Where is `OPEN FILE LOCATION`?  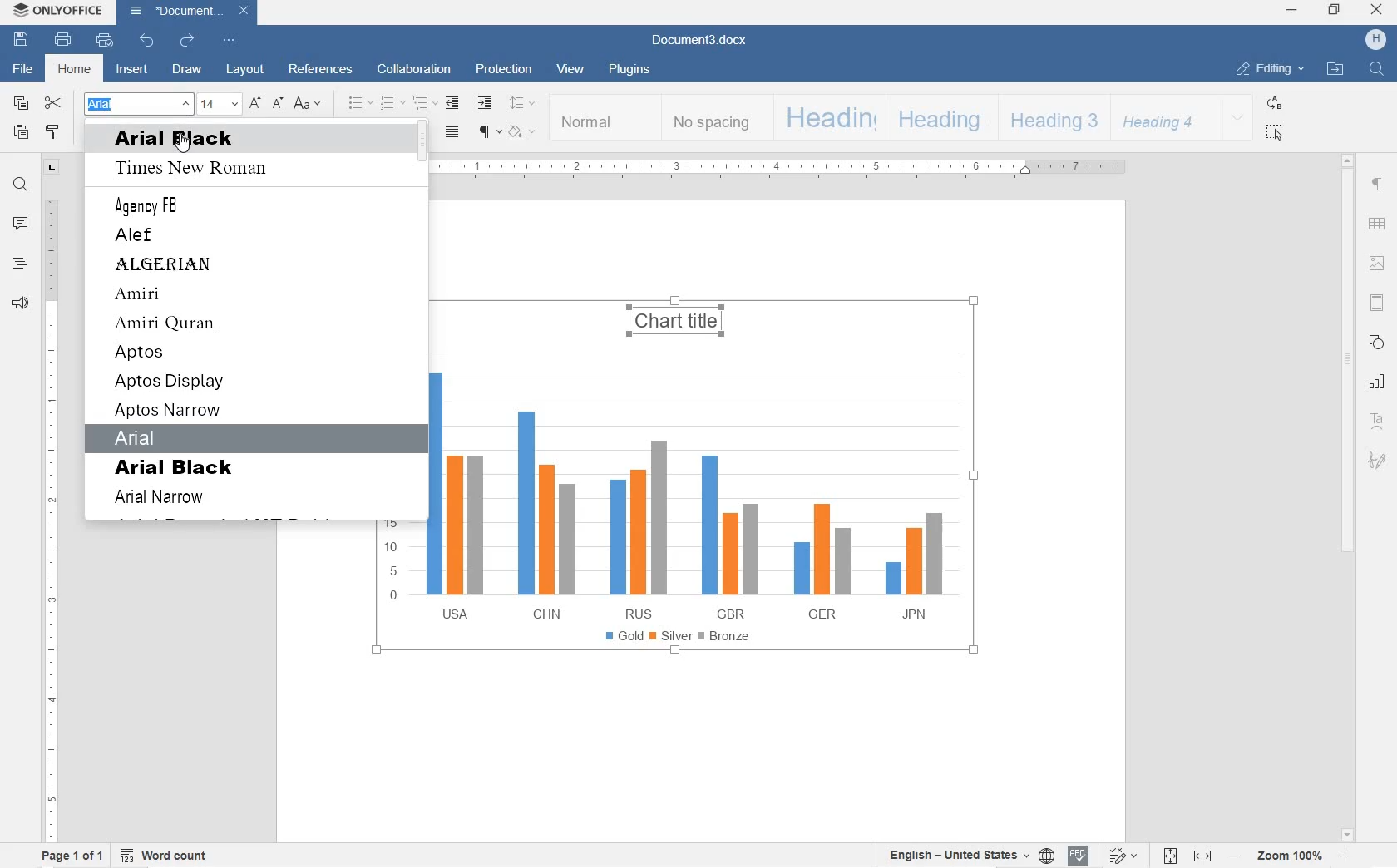 OPEN FILE LOCATION is located at coordinates (1336, 68).